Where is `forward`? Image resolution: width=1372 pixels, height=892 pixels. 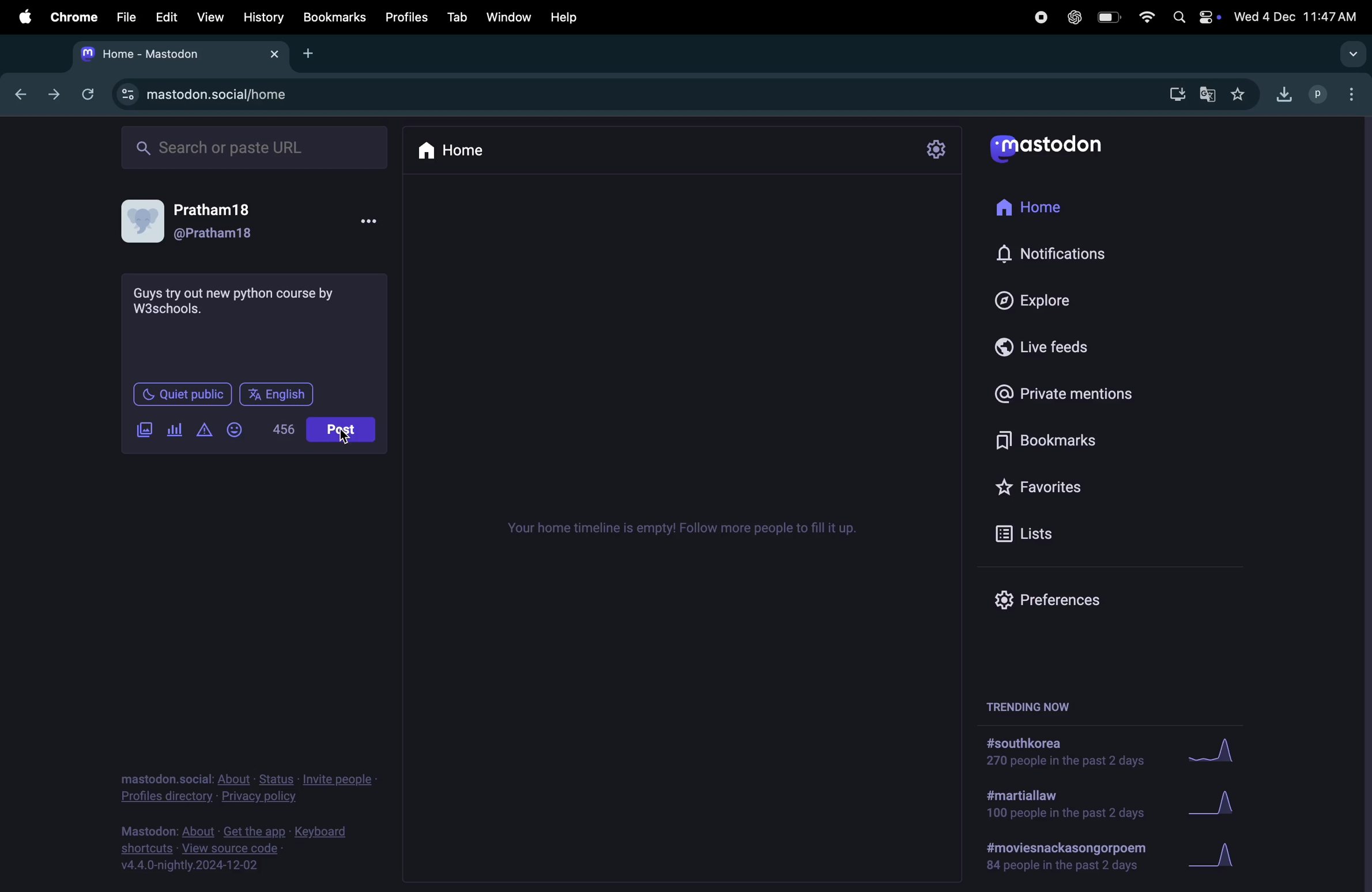 forward is located at coordinates (57, 94).